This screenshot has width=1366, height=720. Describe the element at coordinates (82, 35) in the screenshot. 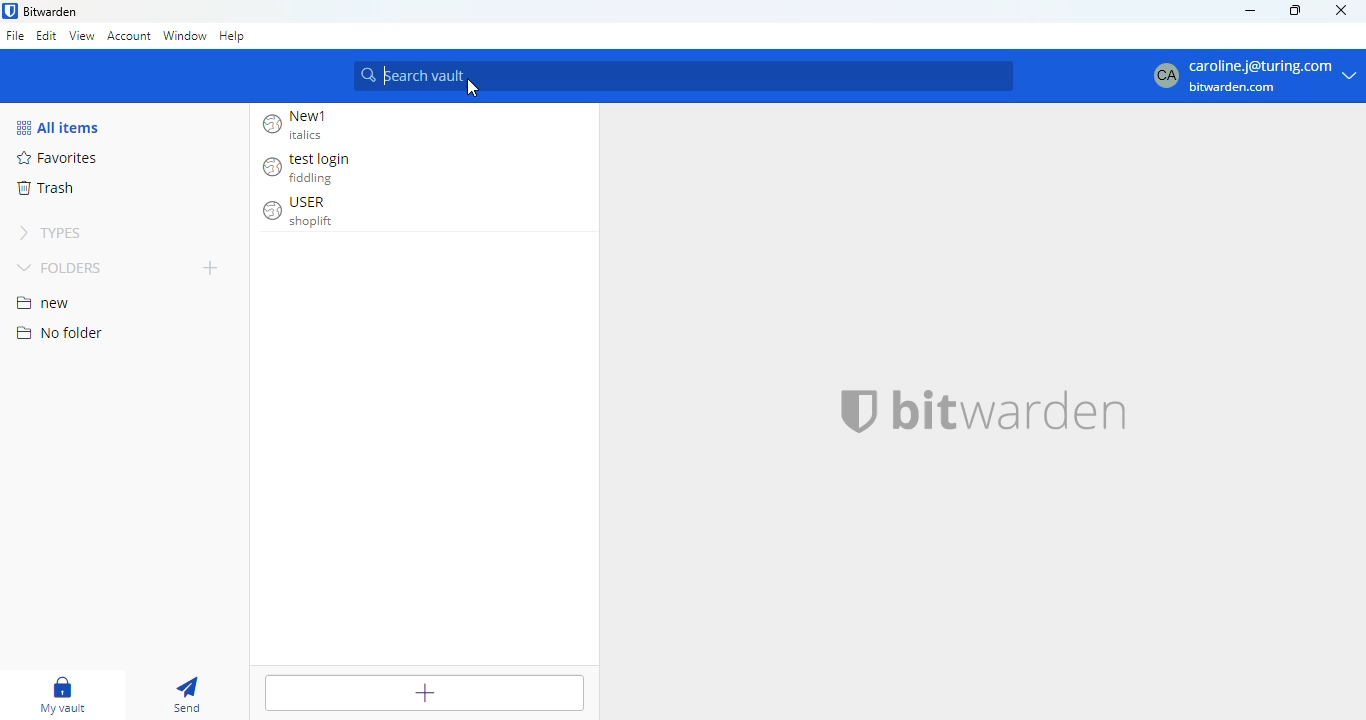

I see `view` at that location.